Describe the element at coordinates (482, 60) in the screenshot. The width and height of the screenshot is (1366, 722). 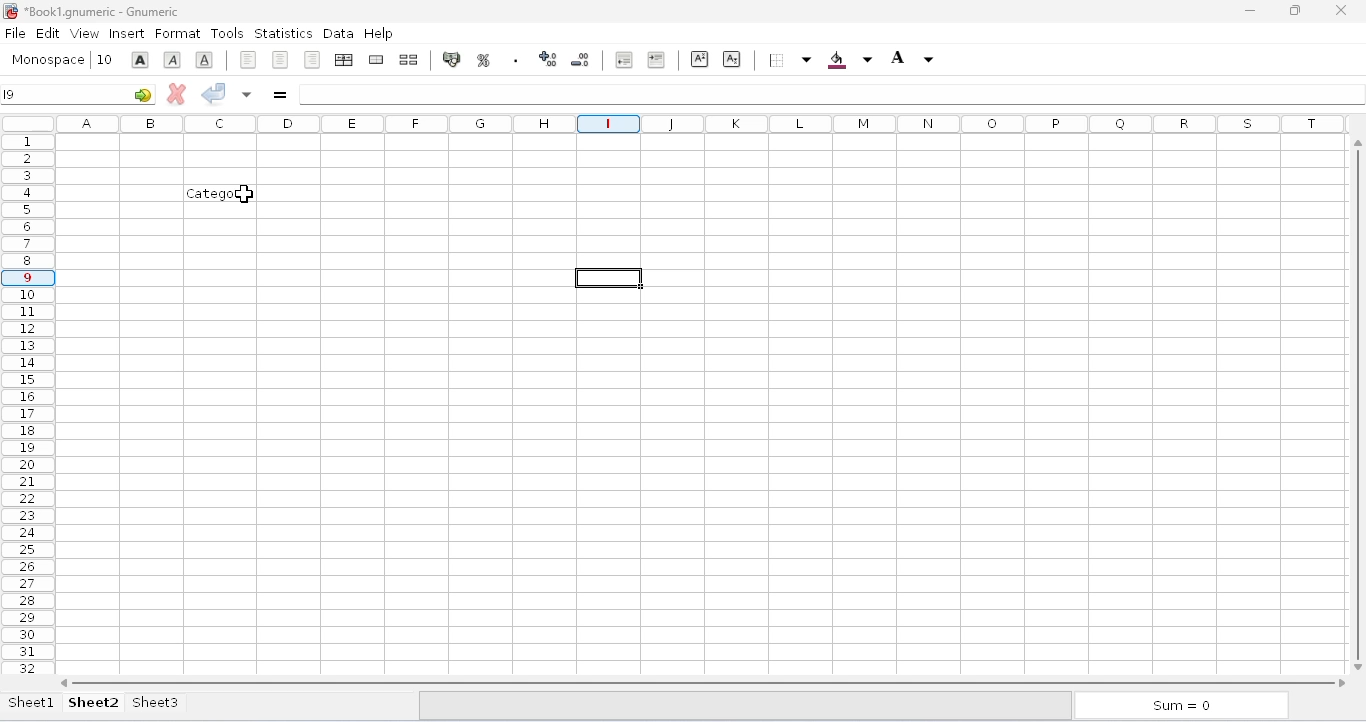
I see `format the selection as percentage` at that location.